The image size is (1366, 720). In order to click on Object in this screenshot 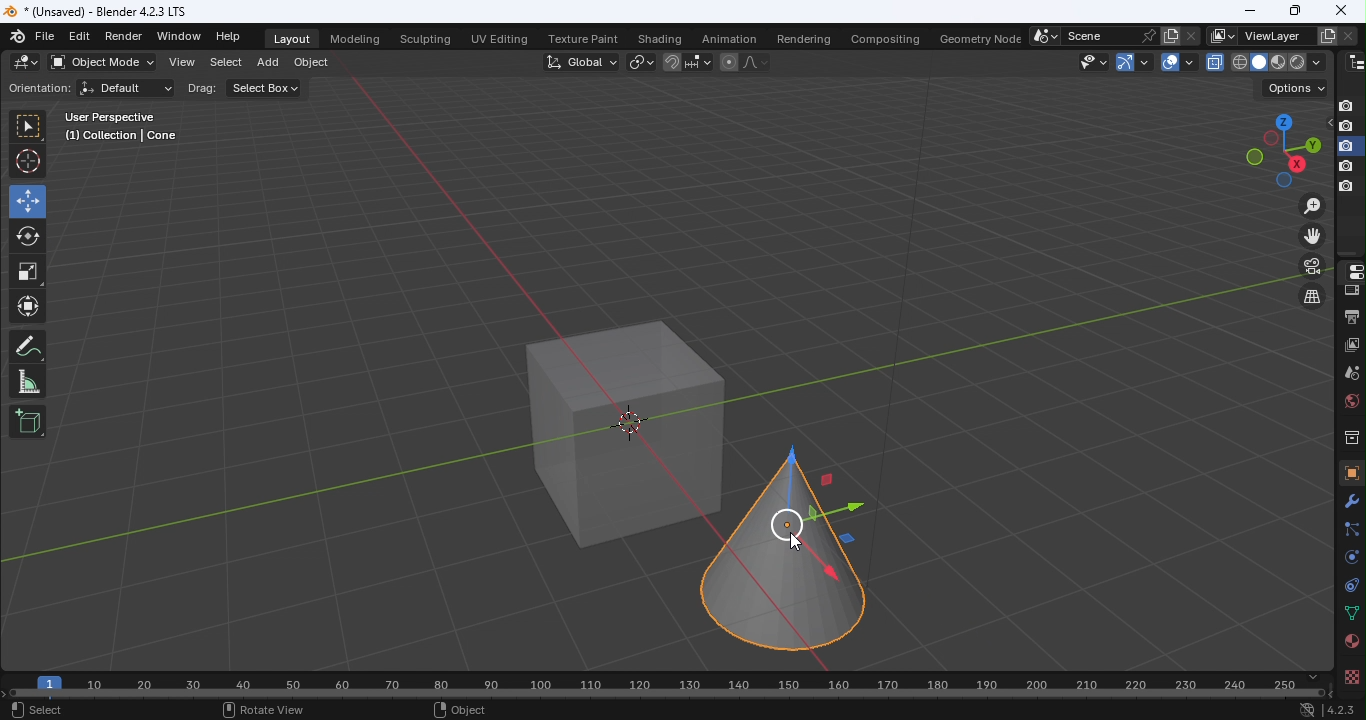, I will do `click(463, 711)`.